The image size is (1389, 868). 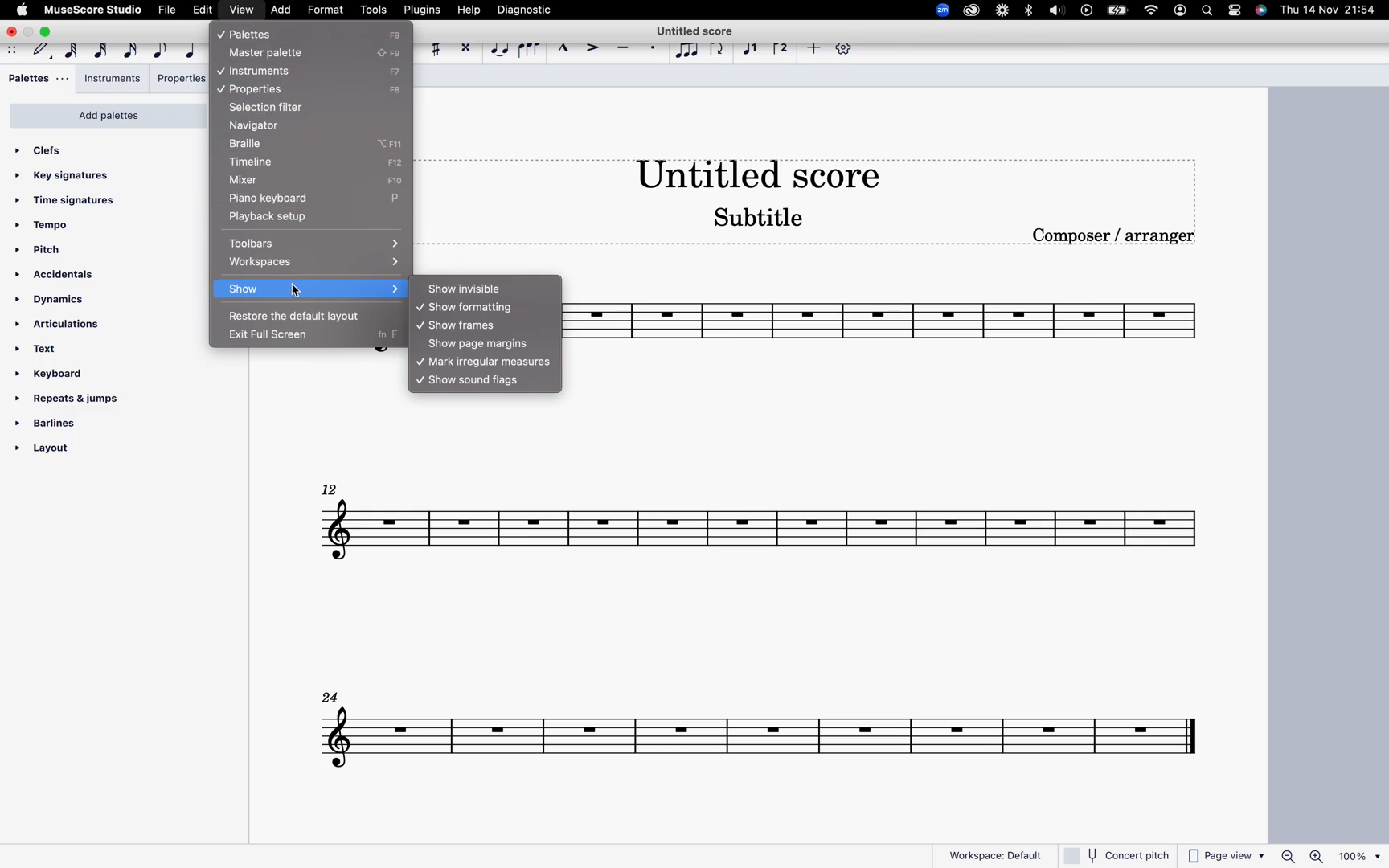 I want to click on score, so click(x=758, y=522).